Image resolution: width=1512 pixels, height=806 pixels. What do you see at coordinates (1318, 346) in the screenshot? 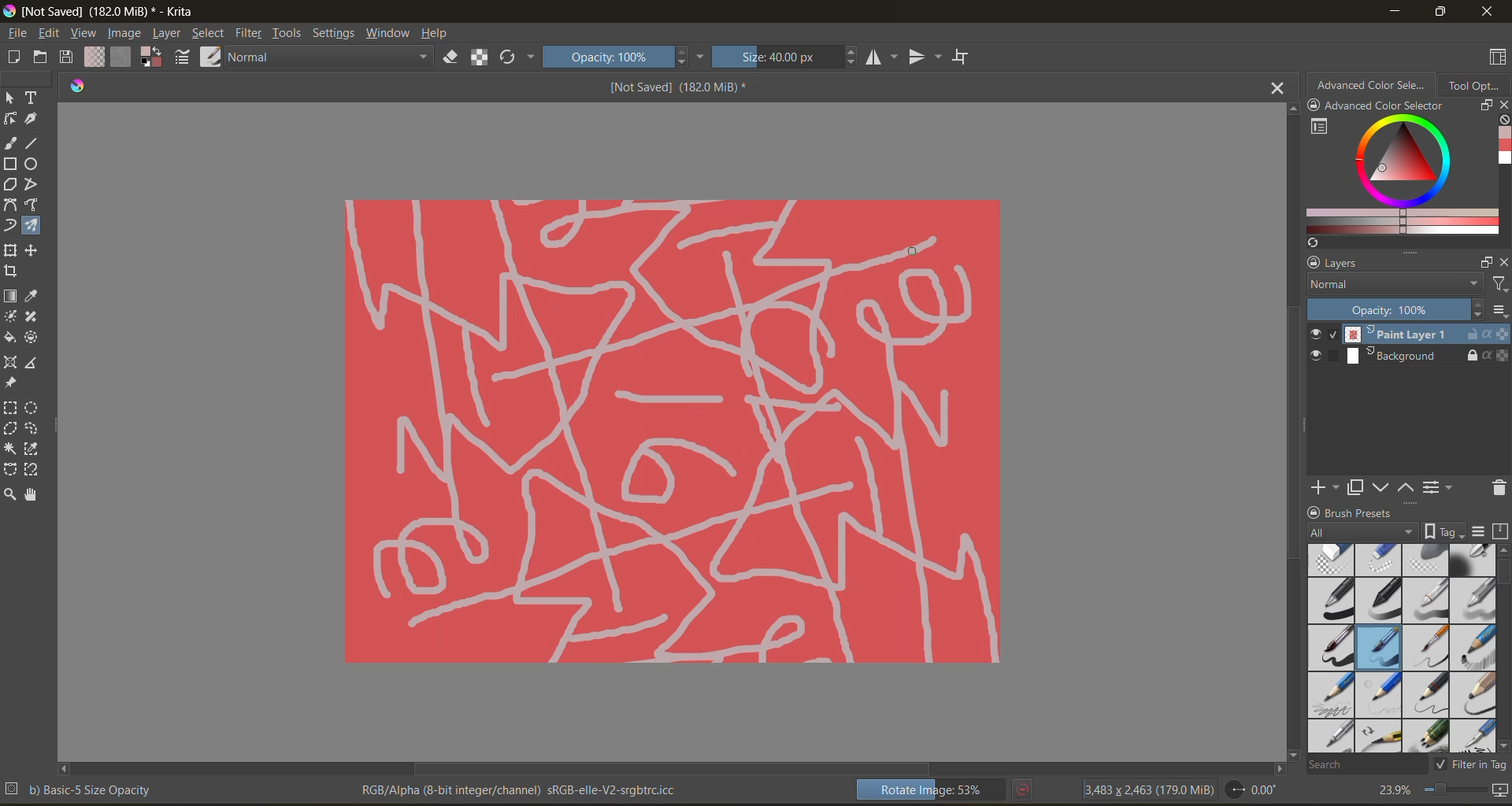
I see `preview` at bounding box center [1318, 346].